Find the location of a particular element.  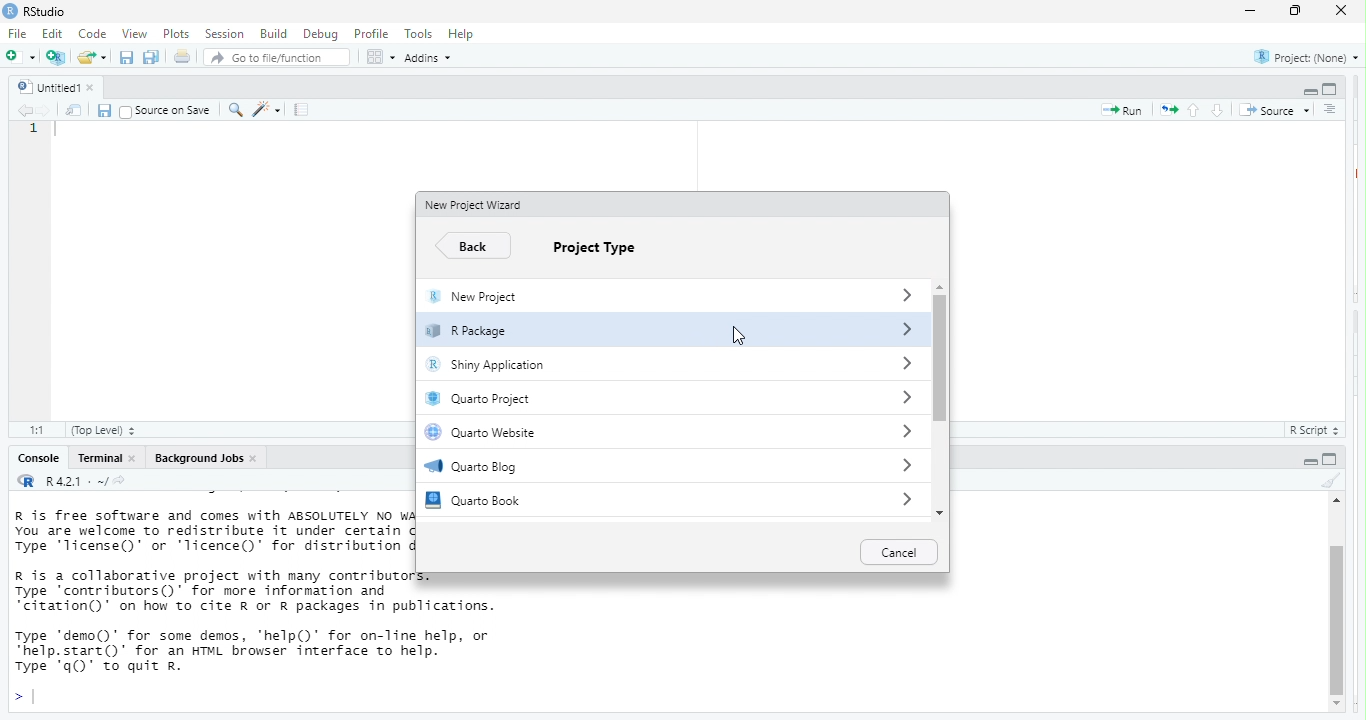

Cancel  is located at coordinates (901, 553).